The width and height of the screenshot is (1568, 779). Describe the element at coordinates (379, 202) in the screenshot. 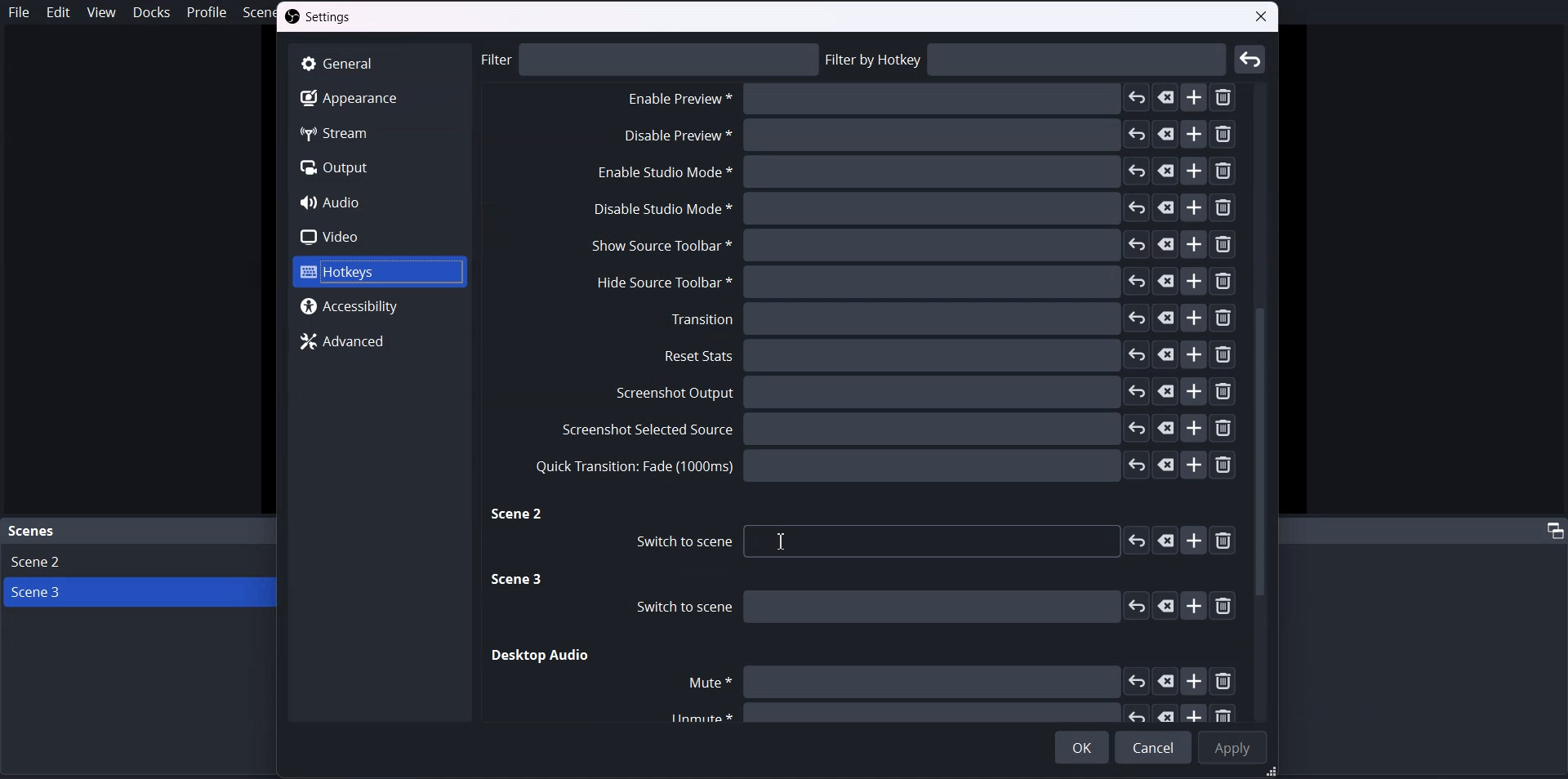

I see `Audio` at that location.